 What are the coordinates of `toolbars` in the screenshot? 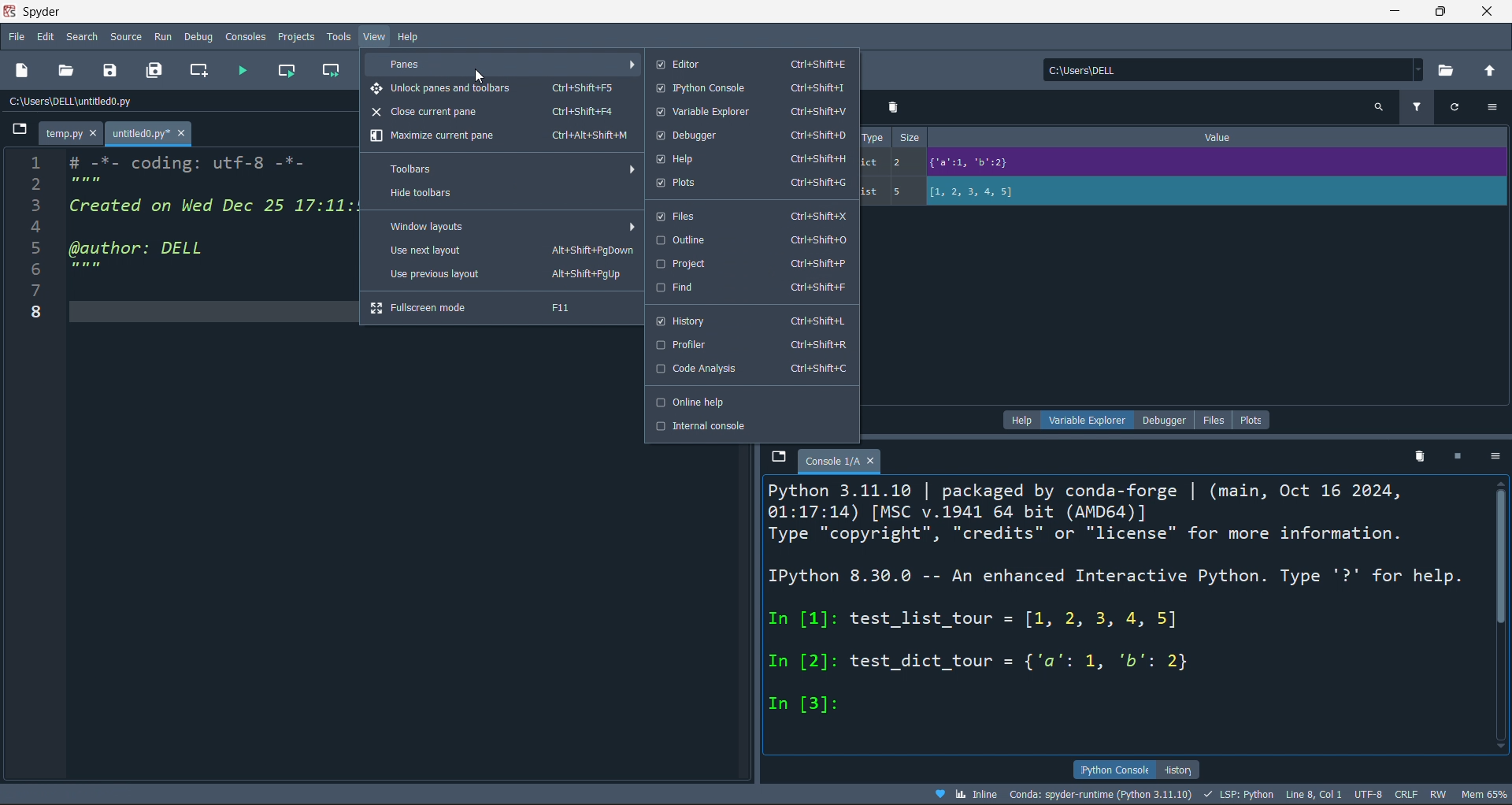 It's located at (502, 169).